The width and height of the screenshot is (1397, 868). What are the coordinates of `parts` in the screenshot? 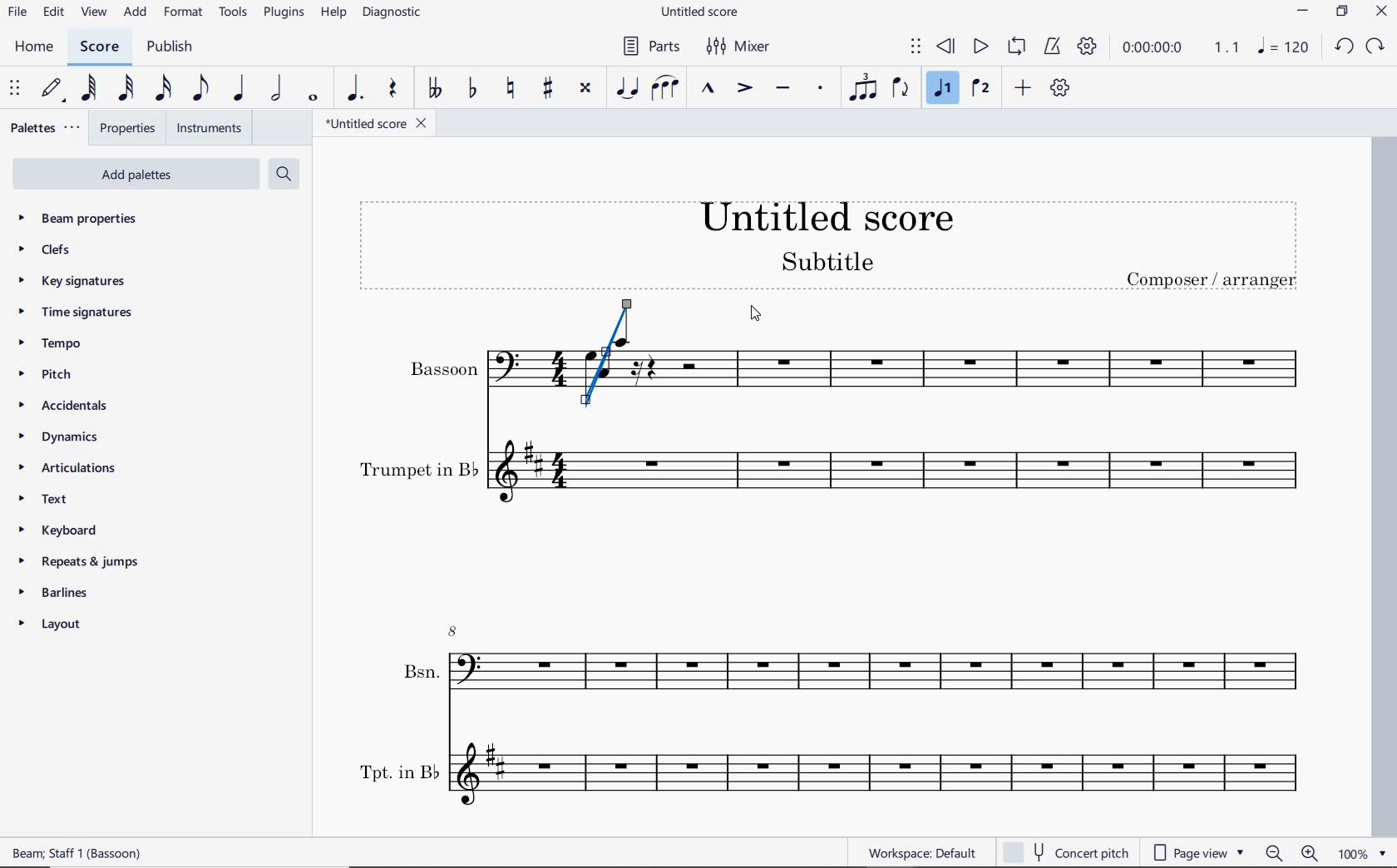 It's located at (653, 47).